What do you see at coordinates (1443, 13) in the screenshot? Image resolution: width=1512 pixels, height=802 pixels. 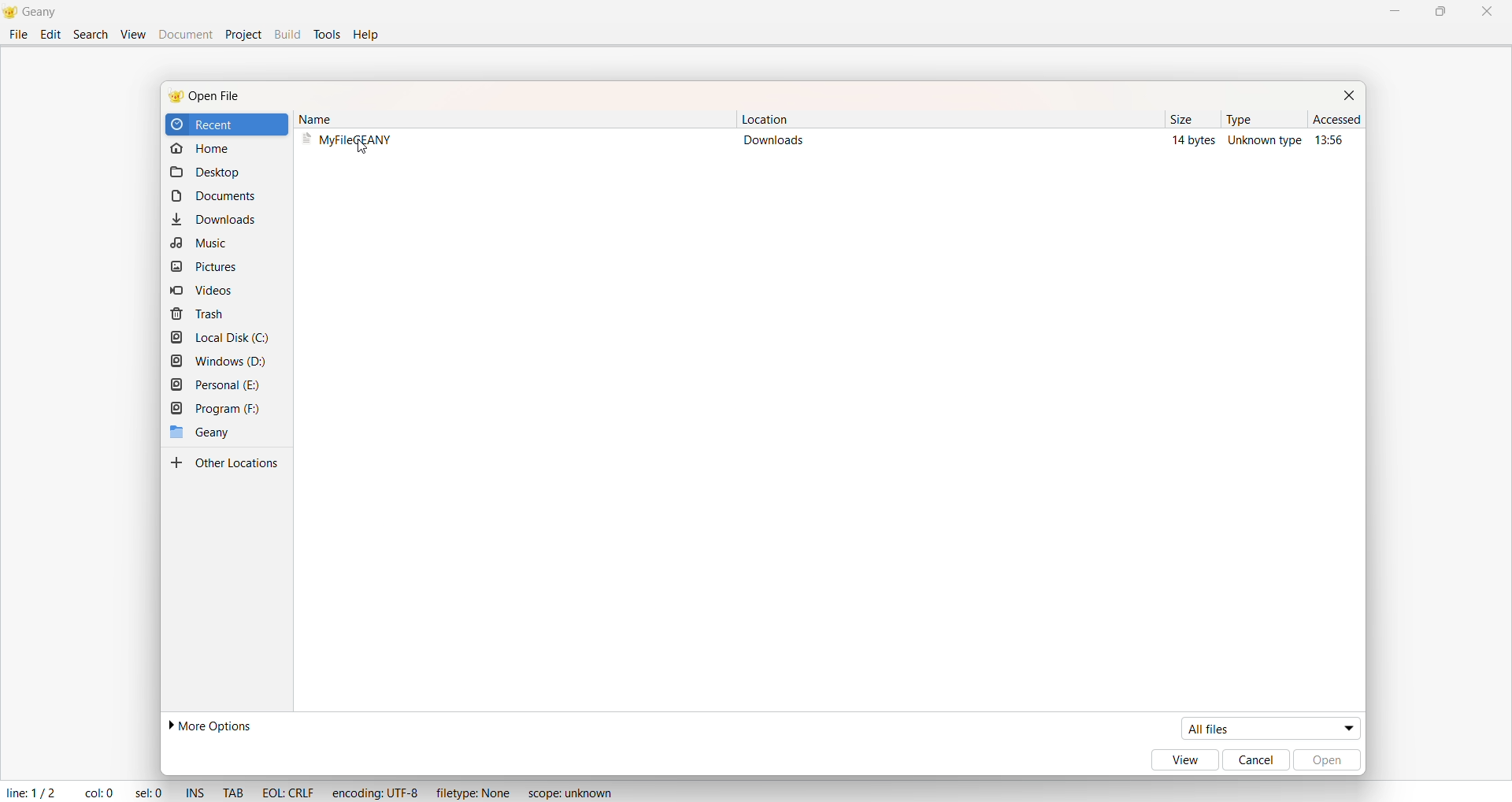 I see `Maximize` at bounding box center [1443, 13].